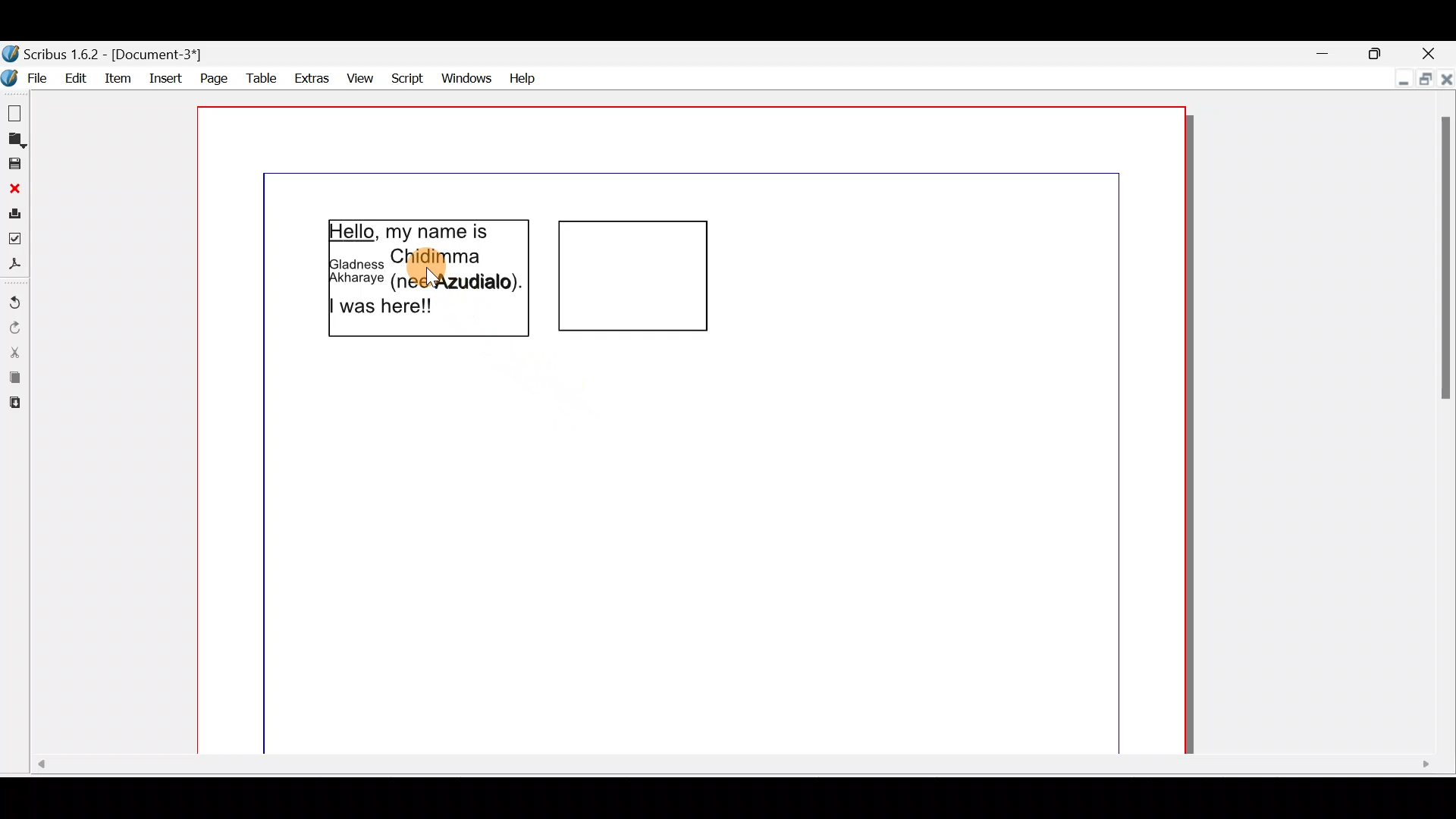 The height and width of the screenshot is (819, 1456). Describe the element at coordinates (115, 54) in the screenshot. I see `Document name` at that location.